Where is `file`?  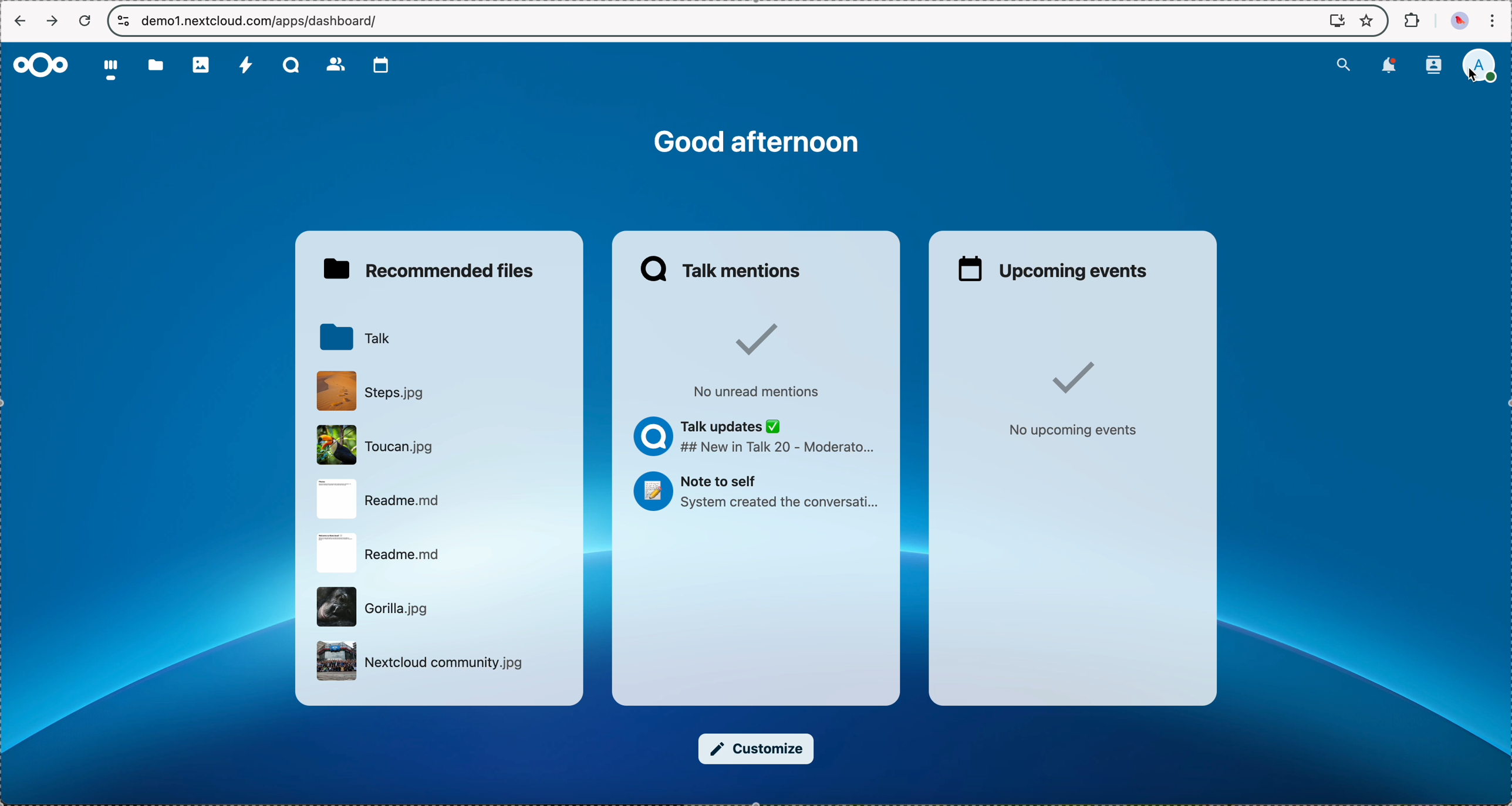 file is located at coordinates (372, 390).